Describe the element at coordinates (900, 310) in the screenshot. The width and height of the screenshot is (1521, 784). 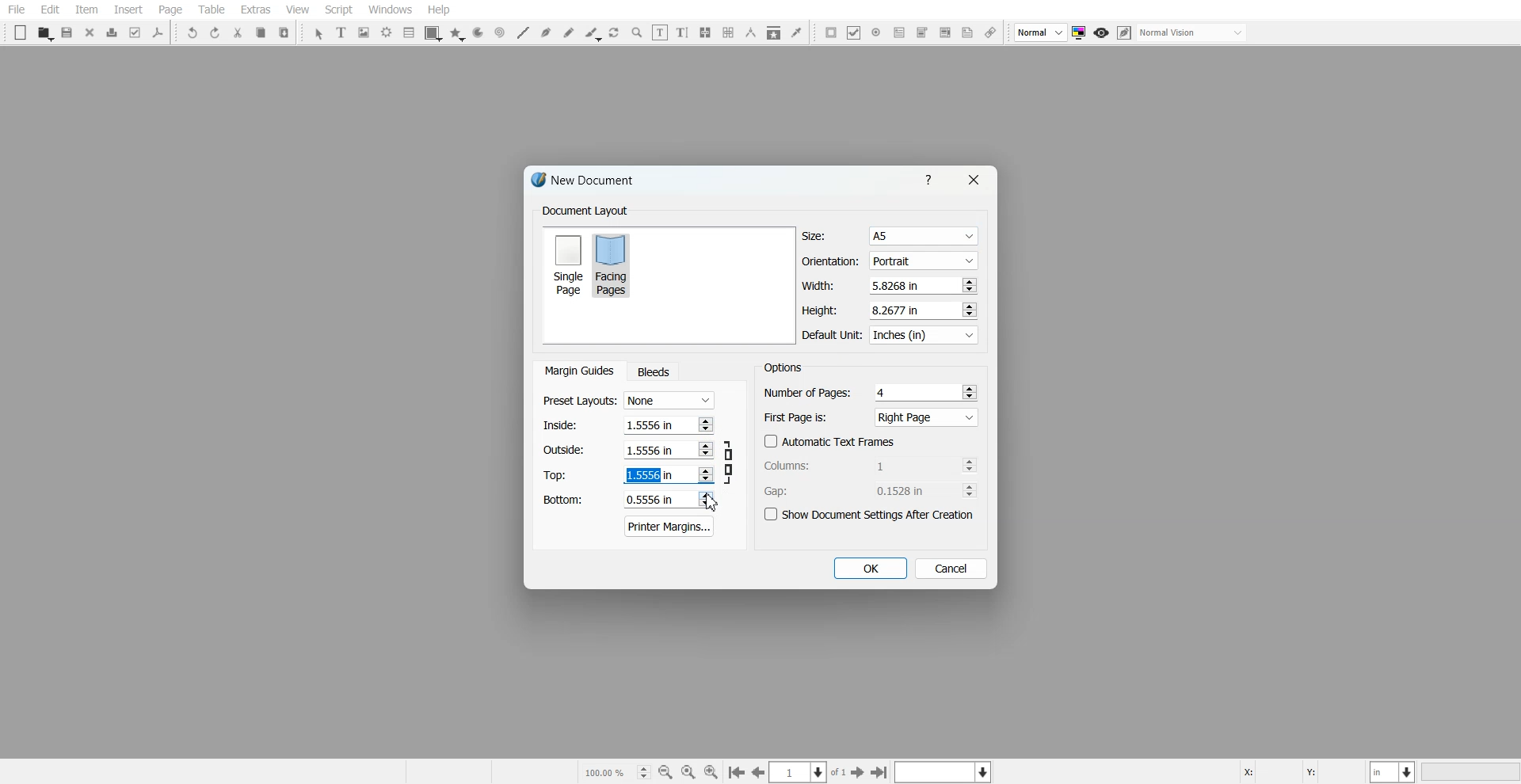
I see `8.2677 in` at that location.